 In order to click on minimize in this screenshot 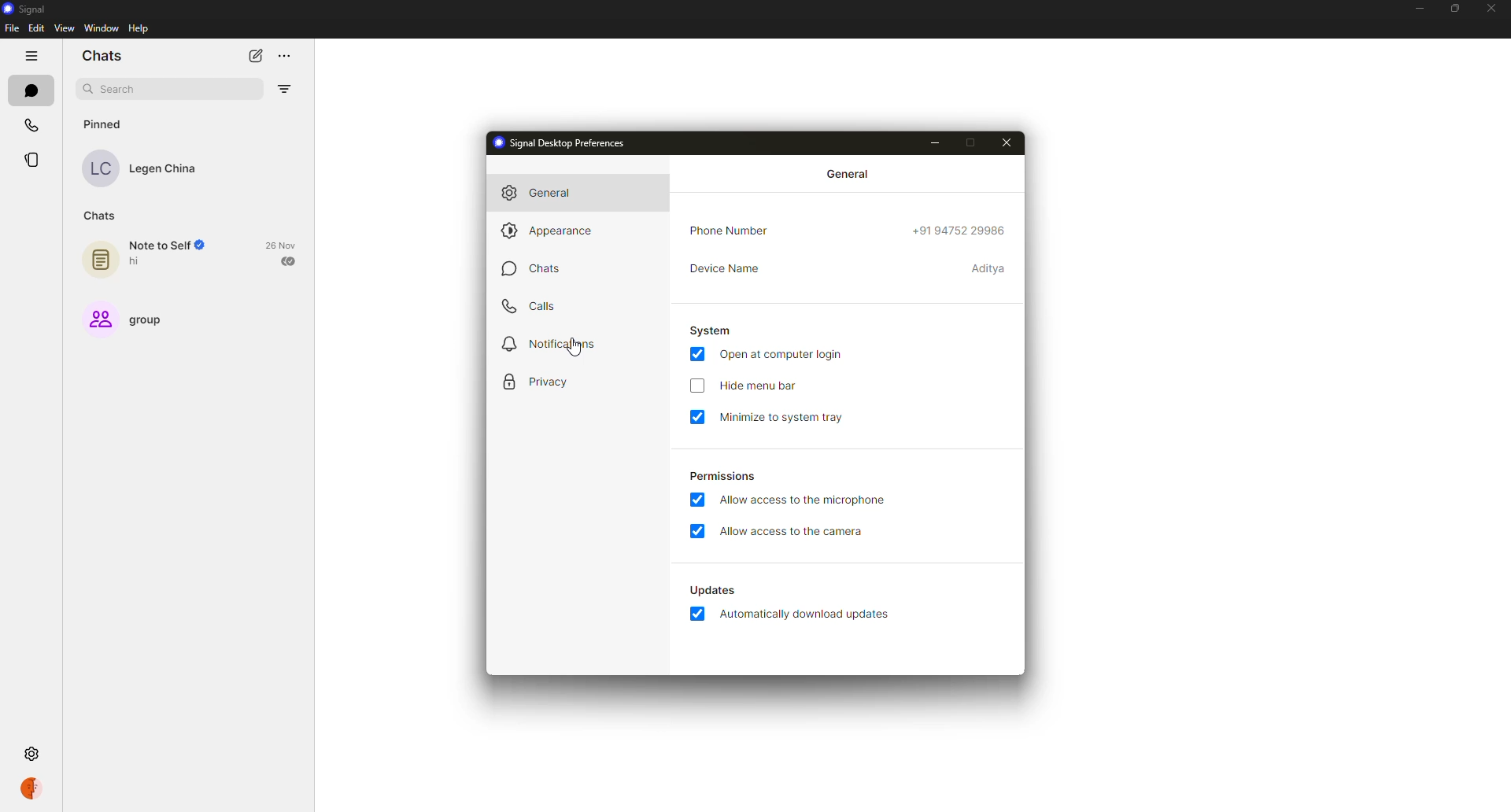, I will do `click(1417, 8)`.